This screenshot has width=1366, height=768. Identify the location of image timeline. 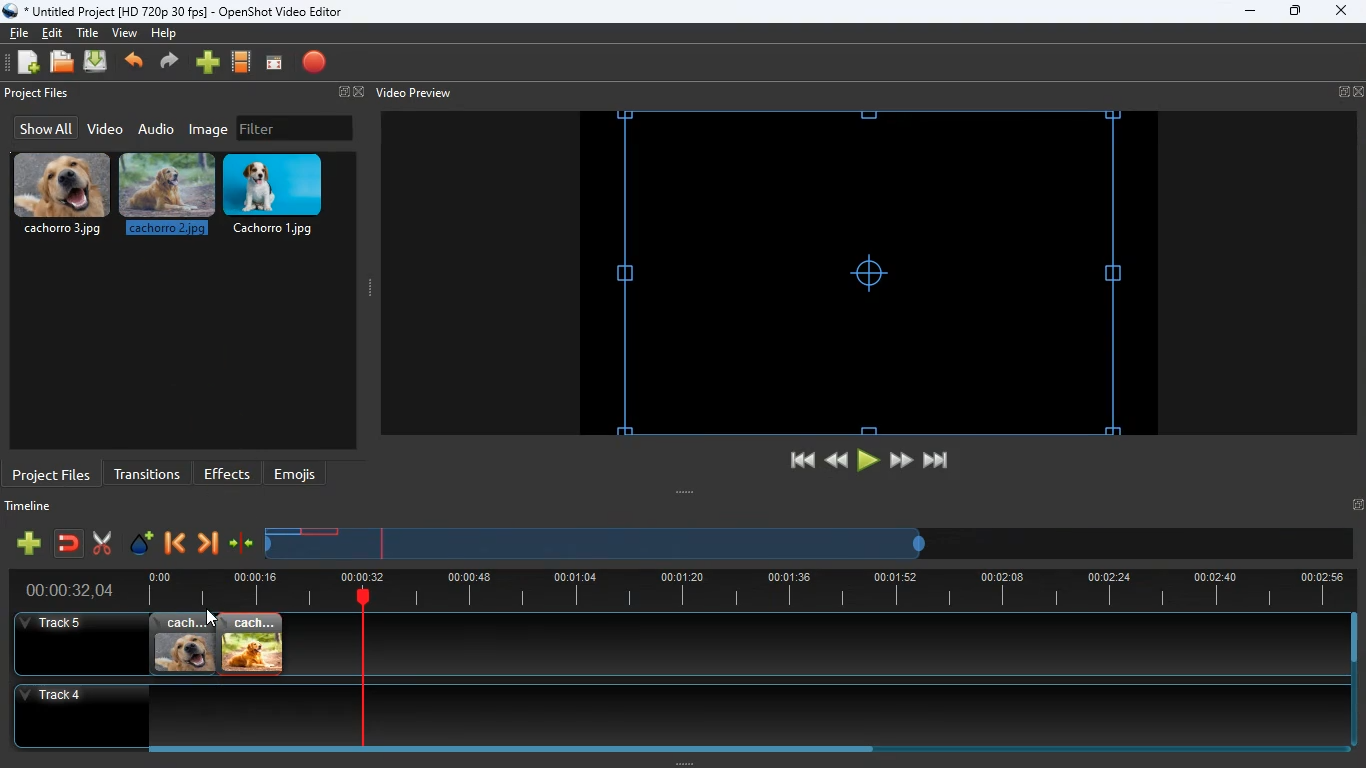
(282, 531).